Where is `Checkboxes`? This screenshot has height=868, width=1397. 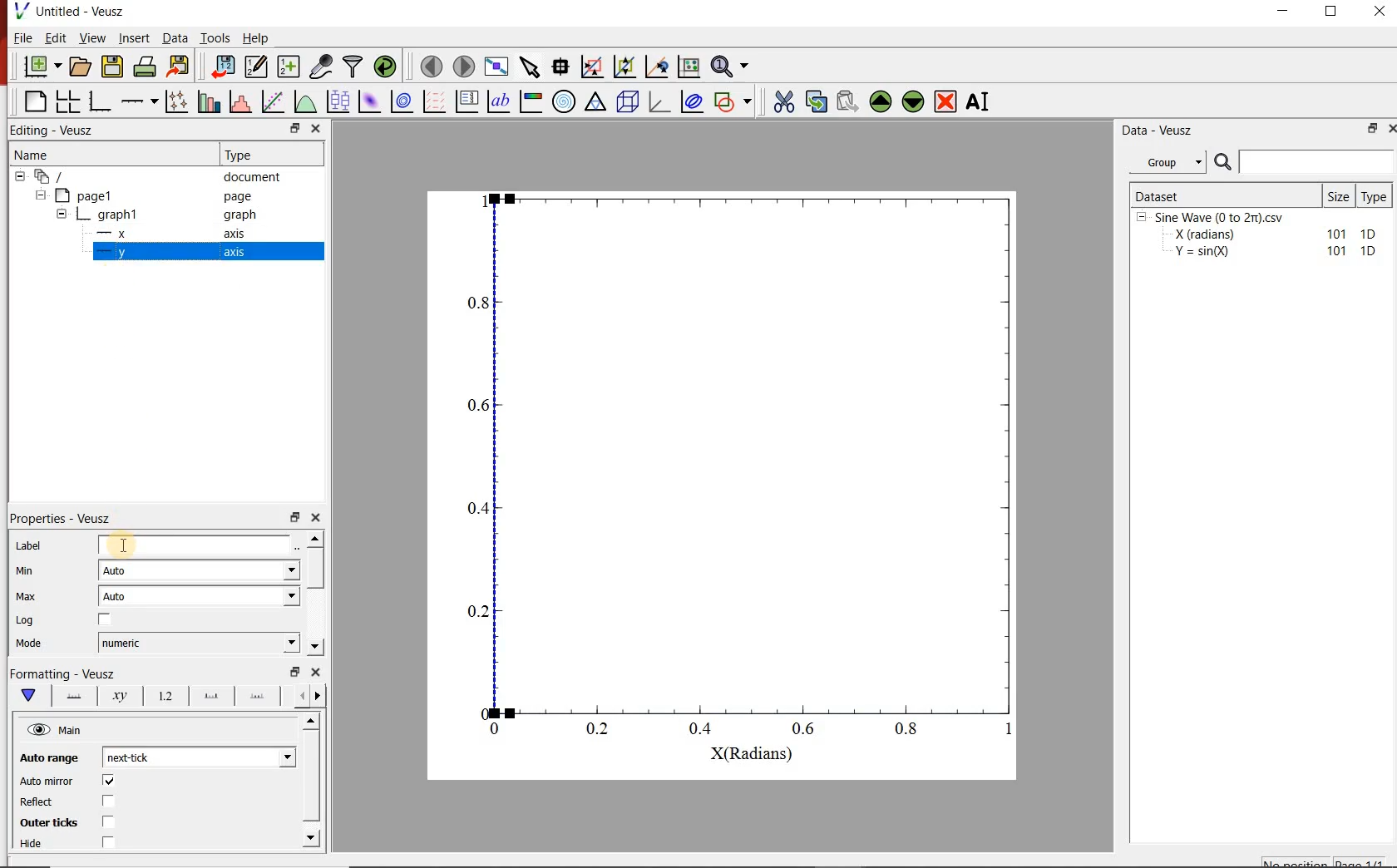
Checkboxes is located at coordinates (105, 812).